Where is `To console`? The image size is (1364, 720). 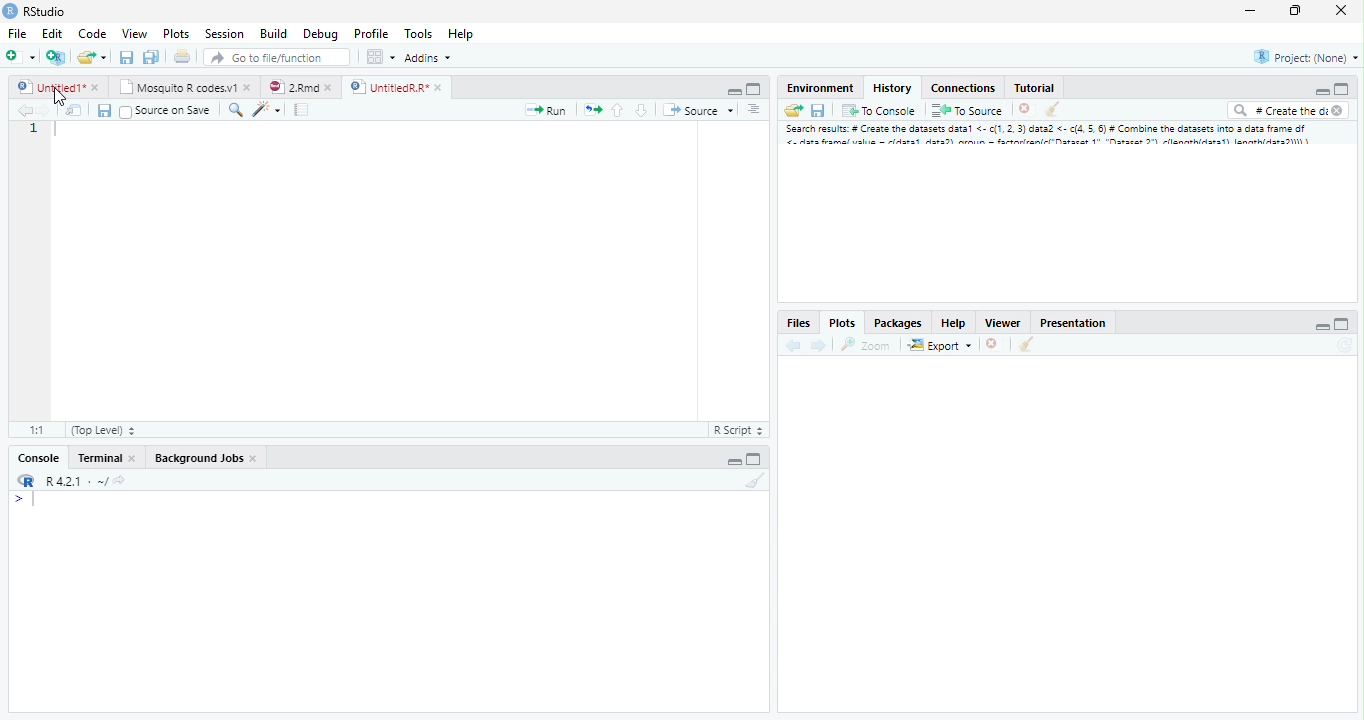
To console is located at coordinates (881, 111).